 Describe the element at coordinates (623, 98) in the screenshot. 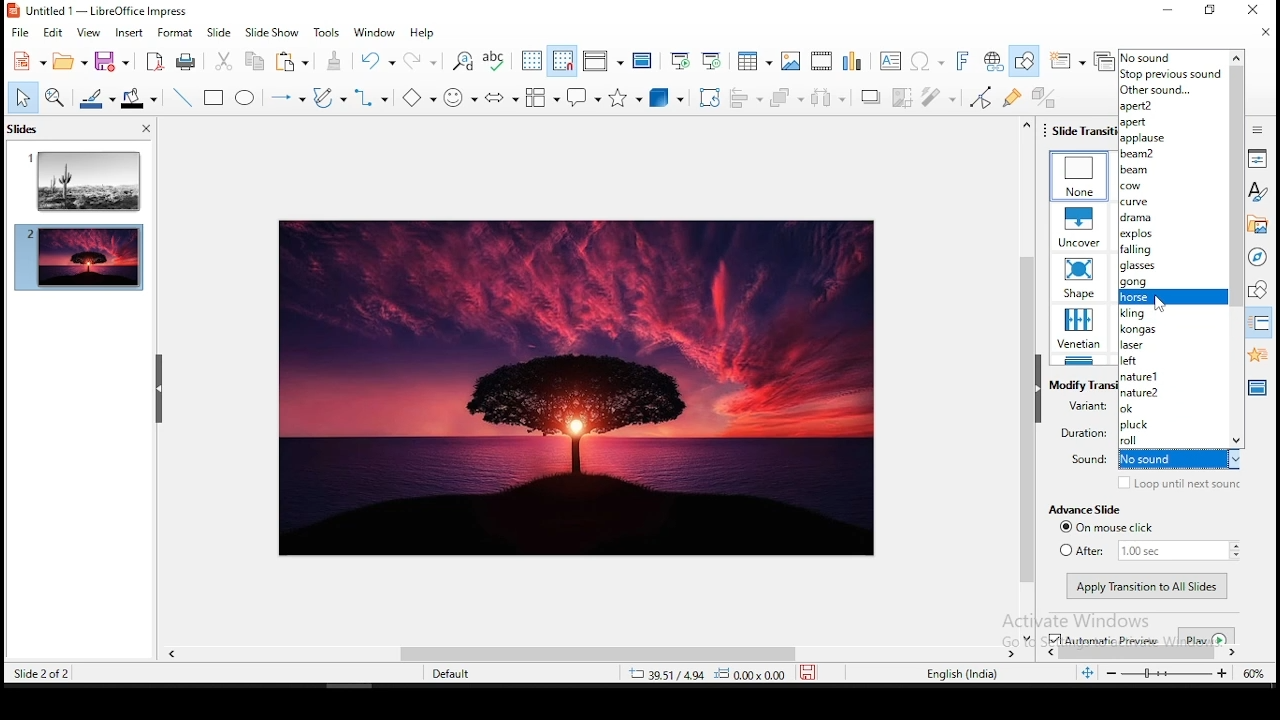

I see `stars and banners` at that location.